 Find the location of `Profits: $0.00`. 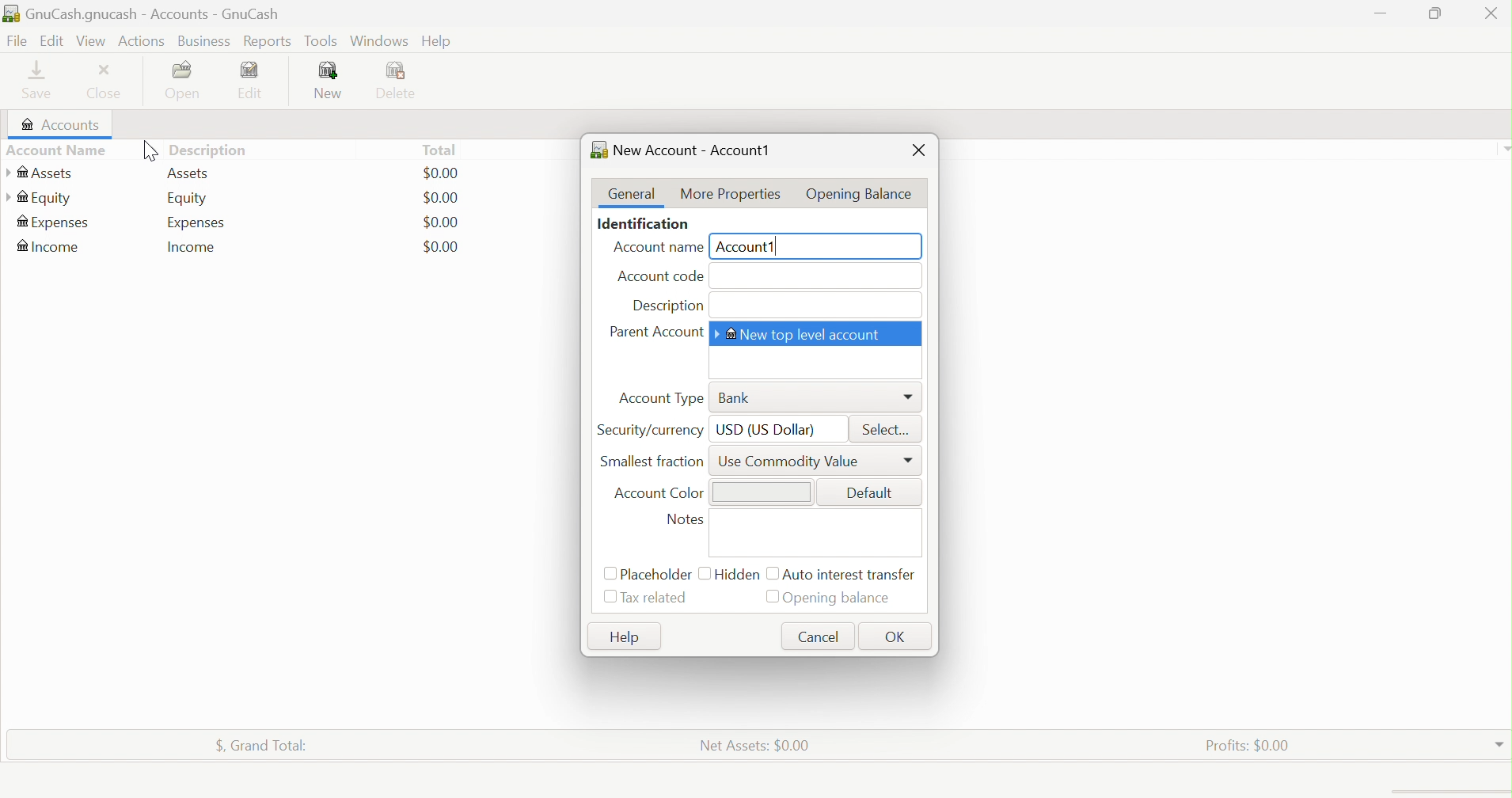

Profits: $0.00 is located at coordinates (1251, 744).